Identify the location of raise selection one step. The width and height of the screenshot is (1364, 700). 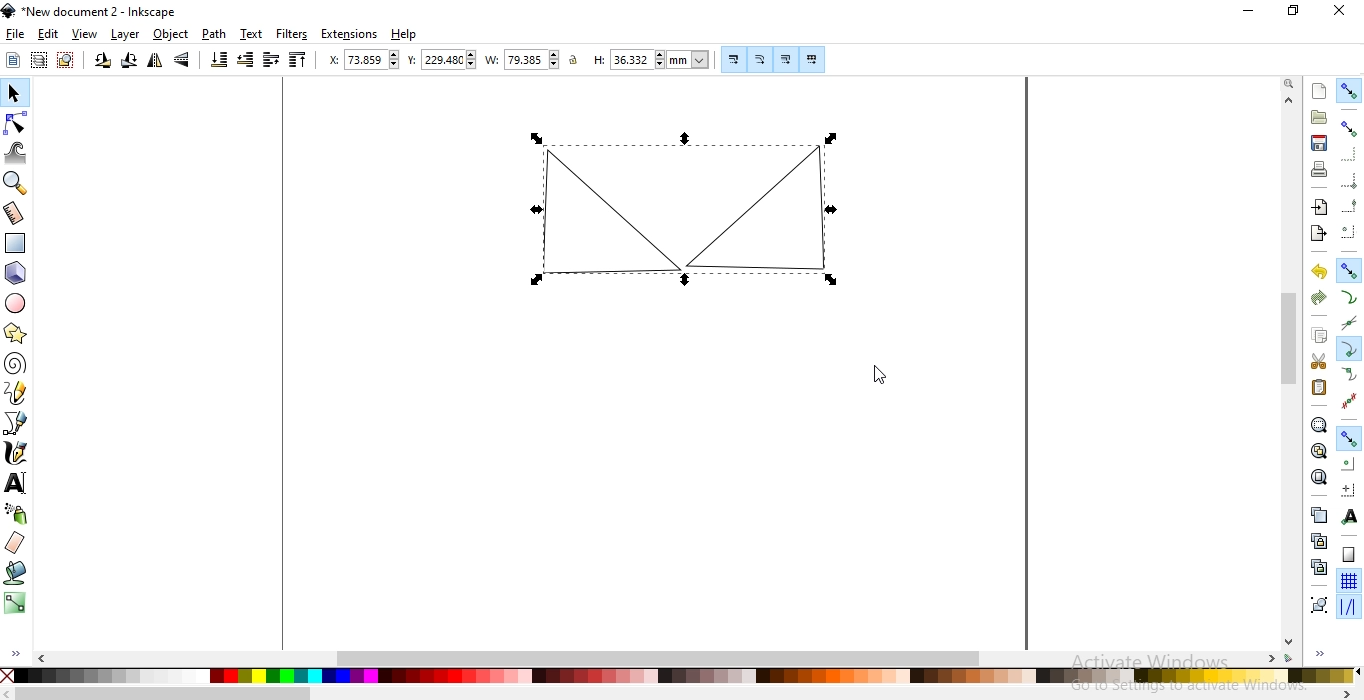
(271, 60).